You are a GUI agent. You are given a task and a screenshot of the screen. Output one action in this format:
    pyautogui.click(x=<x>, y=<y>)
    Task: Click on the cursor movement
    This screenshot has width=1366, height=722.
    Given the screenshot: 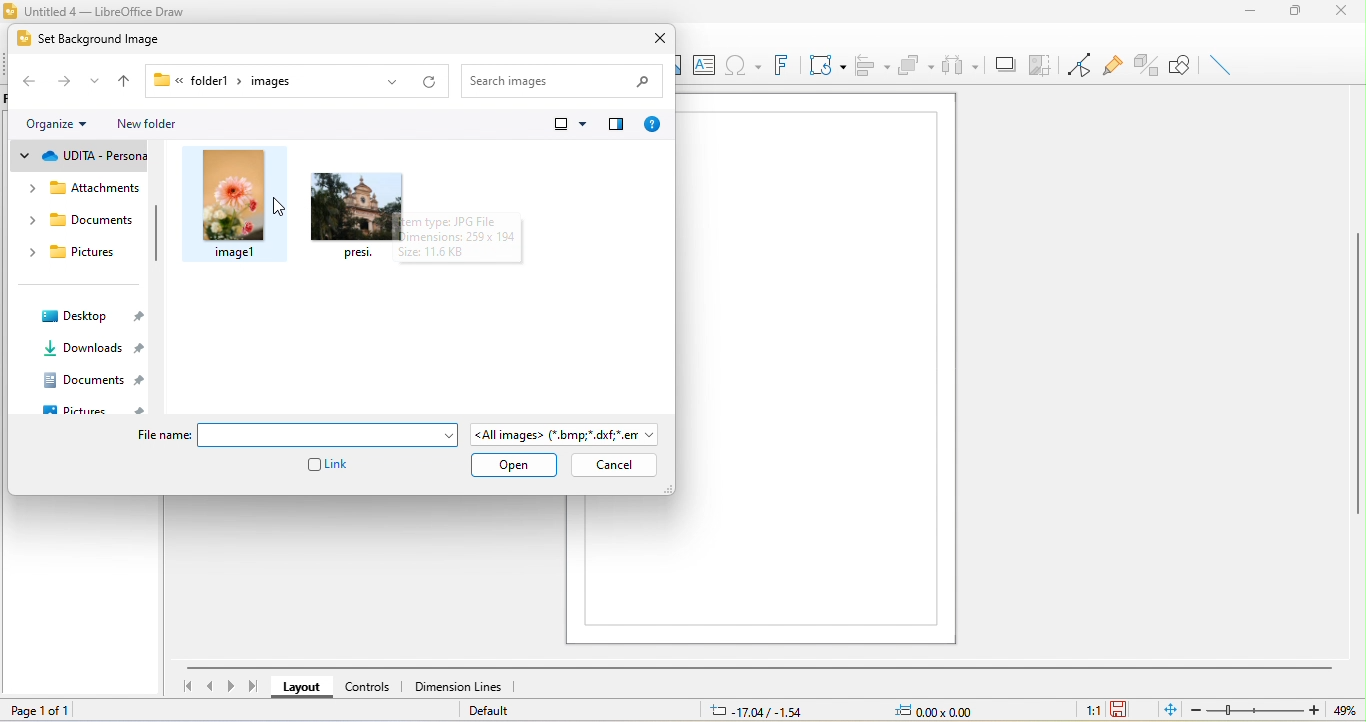 What is the action you would take?
    pyautogui.click(x=279, y=205)
    